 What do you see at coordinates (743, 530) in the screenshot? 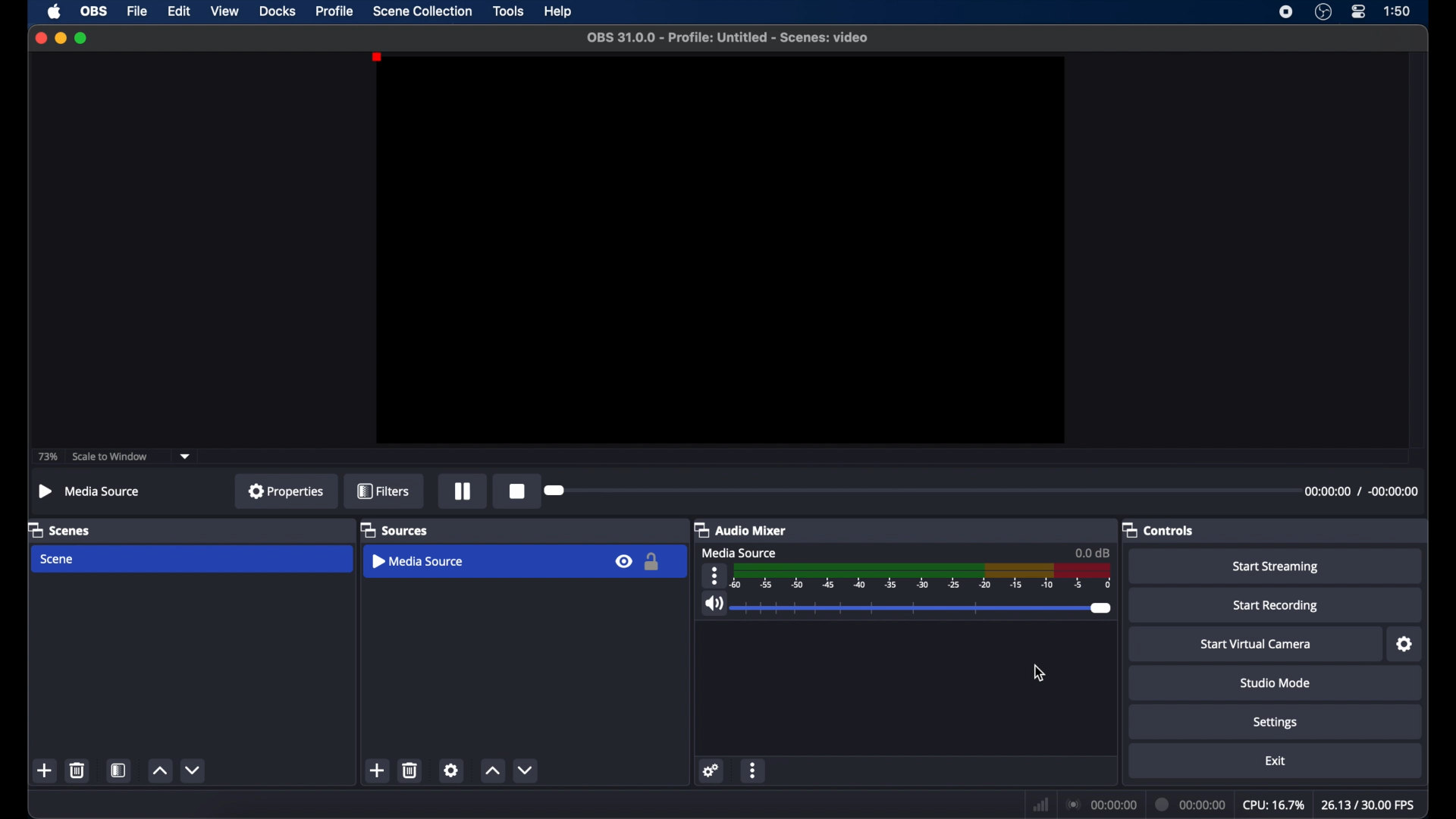
I see `Audio Mixer` at bounding box center [743, 530].